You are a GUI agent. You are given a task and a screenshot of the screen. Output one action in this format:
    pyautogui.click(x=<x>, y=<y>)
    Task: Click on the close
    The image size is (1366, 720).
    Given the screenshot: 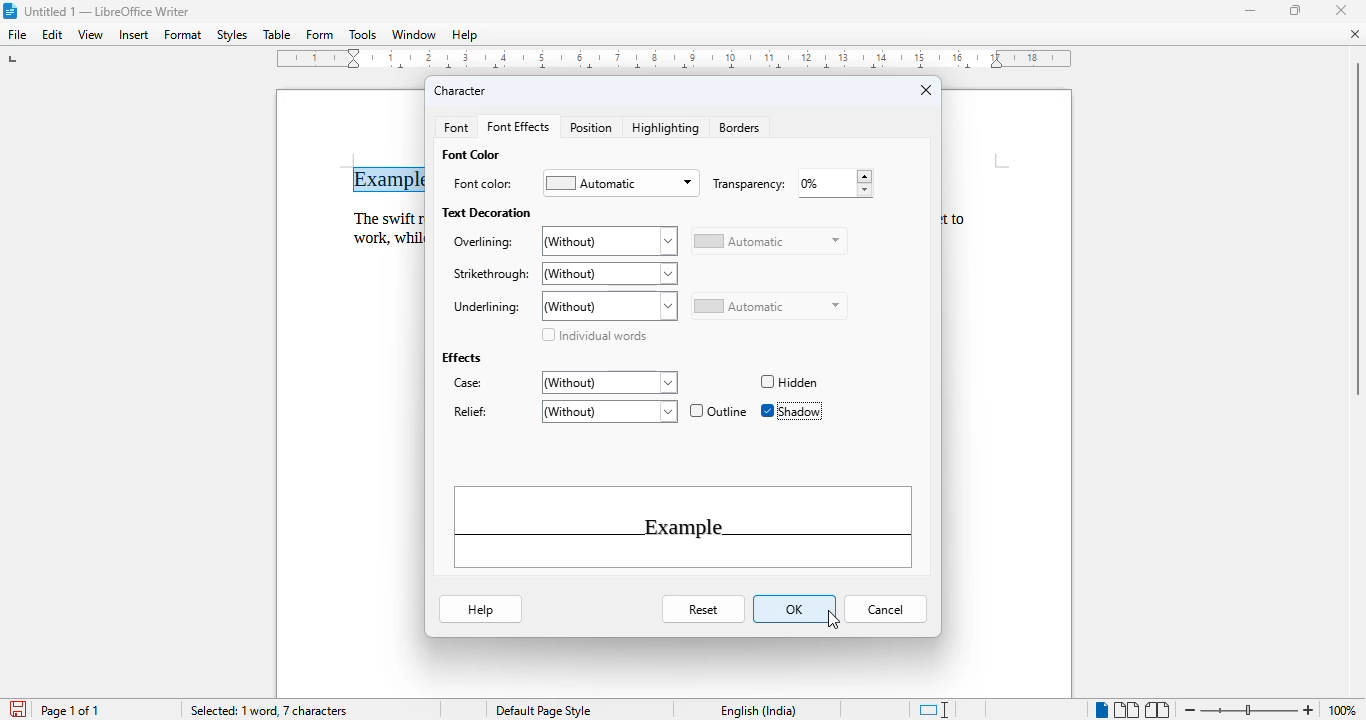 What is the action you would take?
    pyautogui.click(x=1340, y=11)
    